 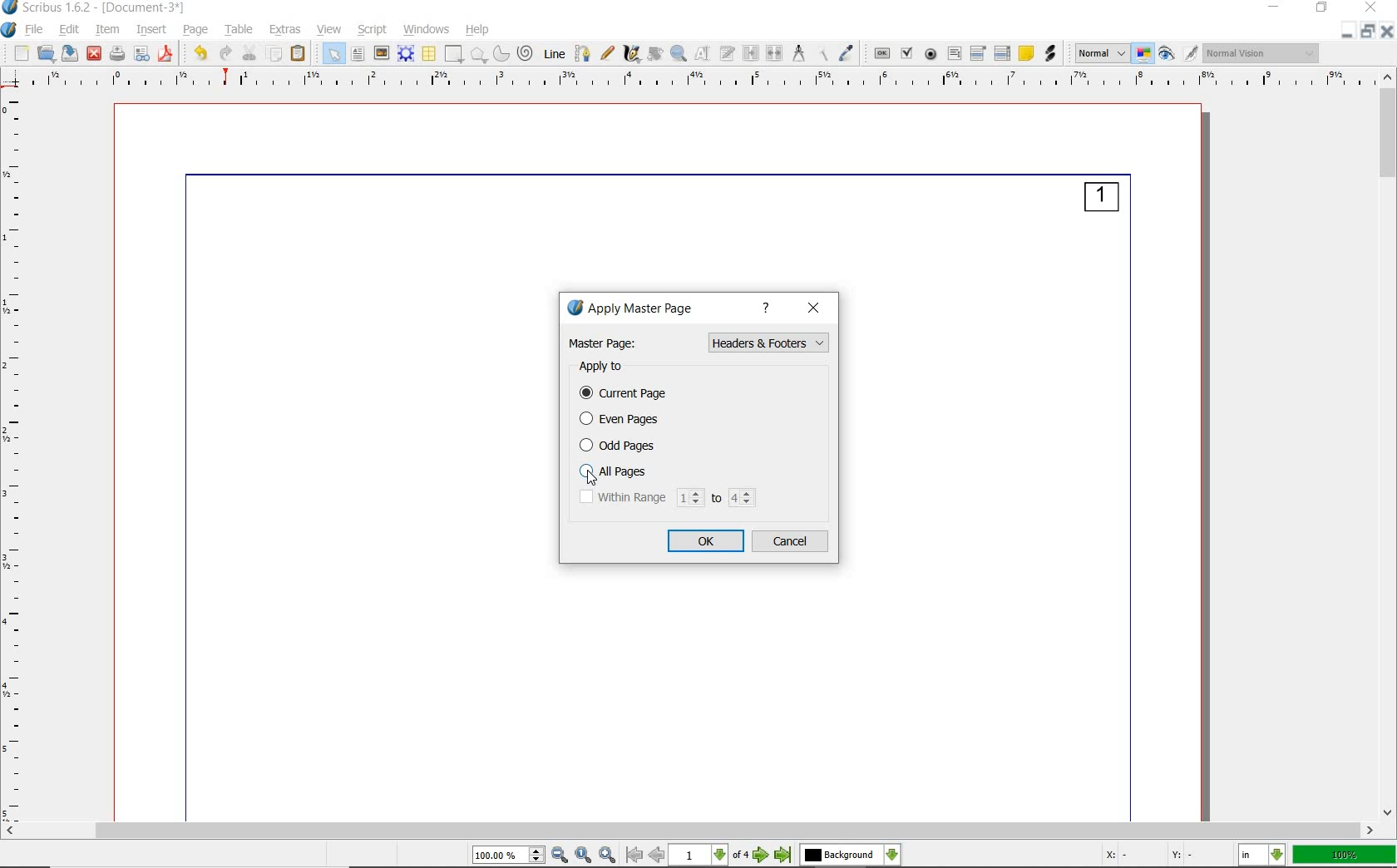 I want to click on current page, so click(x=627, y=394).